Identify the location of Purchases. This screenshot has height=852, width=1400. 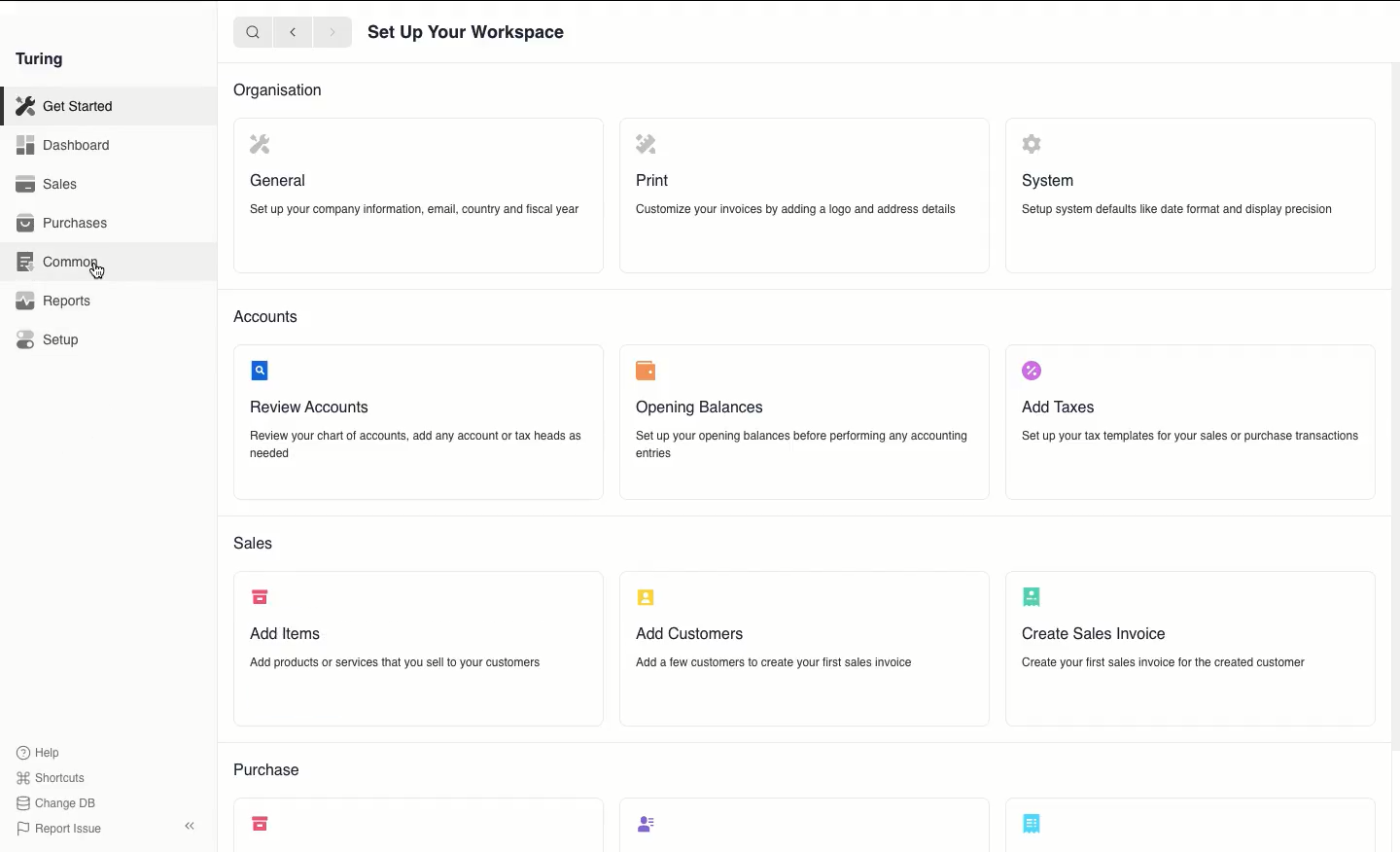
(63, 225).